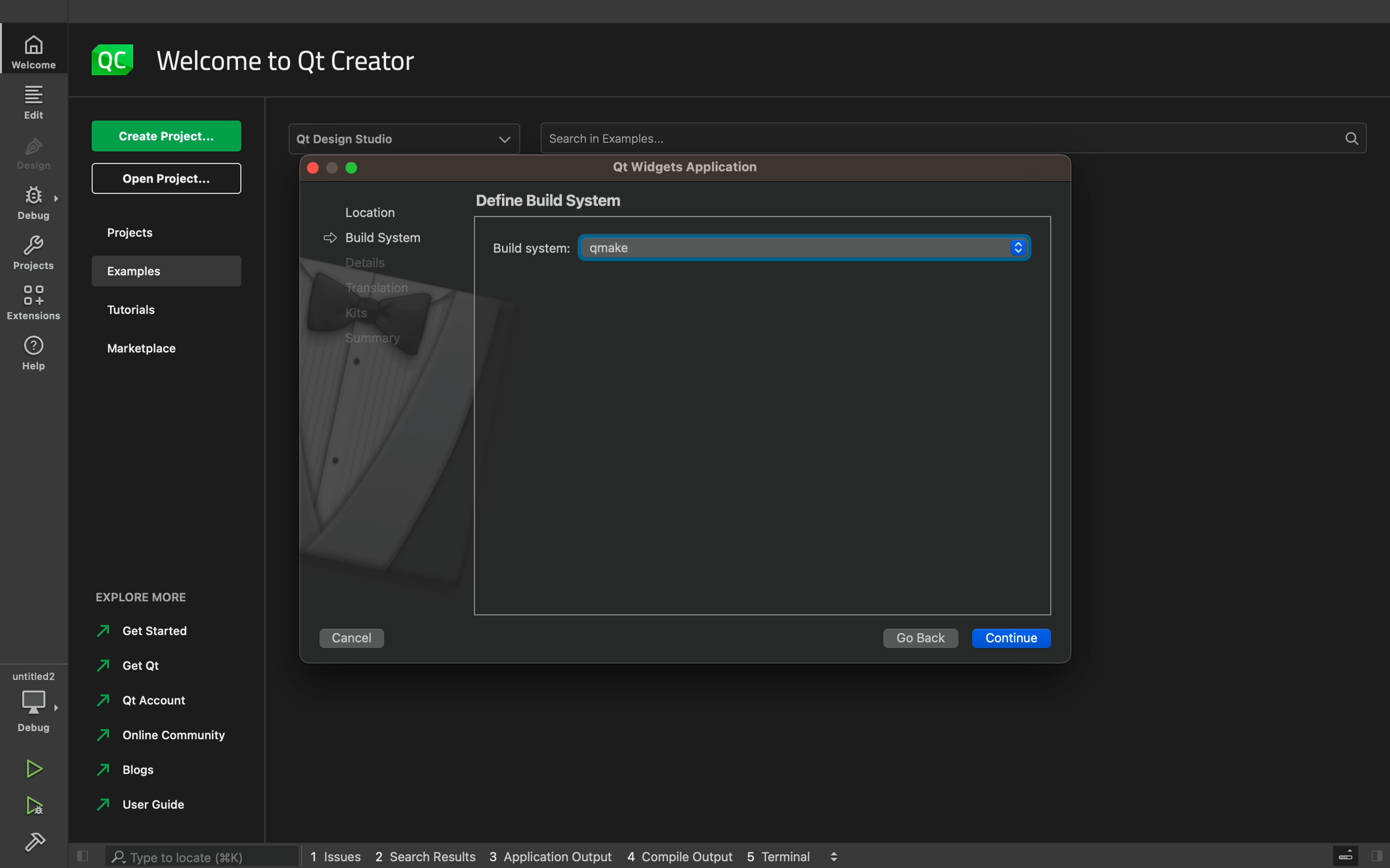 Image resolution: width=1390 pixels, height=868 pixels. Describe the element at coordinates (128, 666) in the screenshot. I see `` at that location.